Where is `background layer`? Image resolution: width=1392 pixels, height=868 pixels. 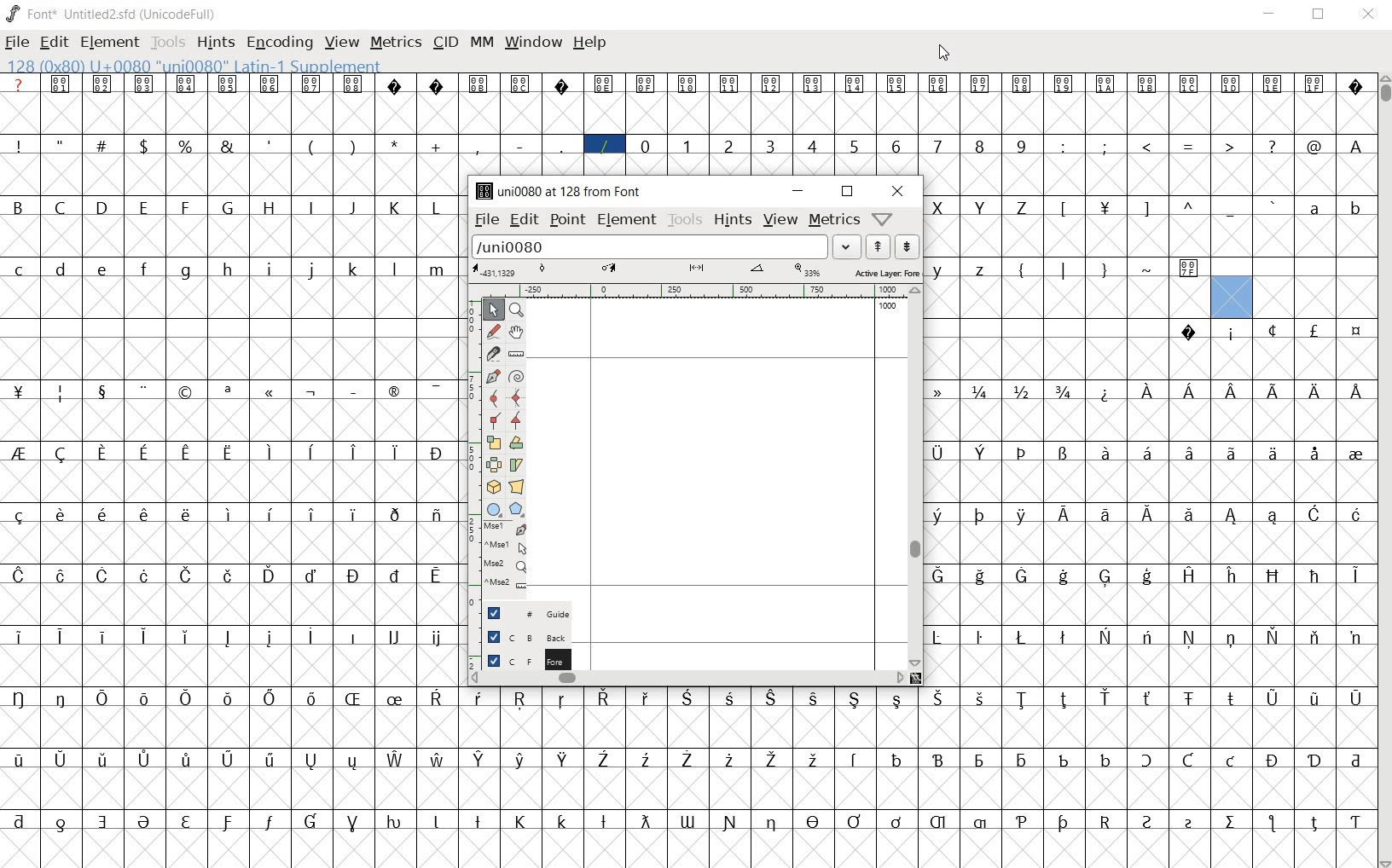
background layer is located at coordinates (519, 636).